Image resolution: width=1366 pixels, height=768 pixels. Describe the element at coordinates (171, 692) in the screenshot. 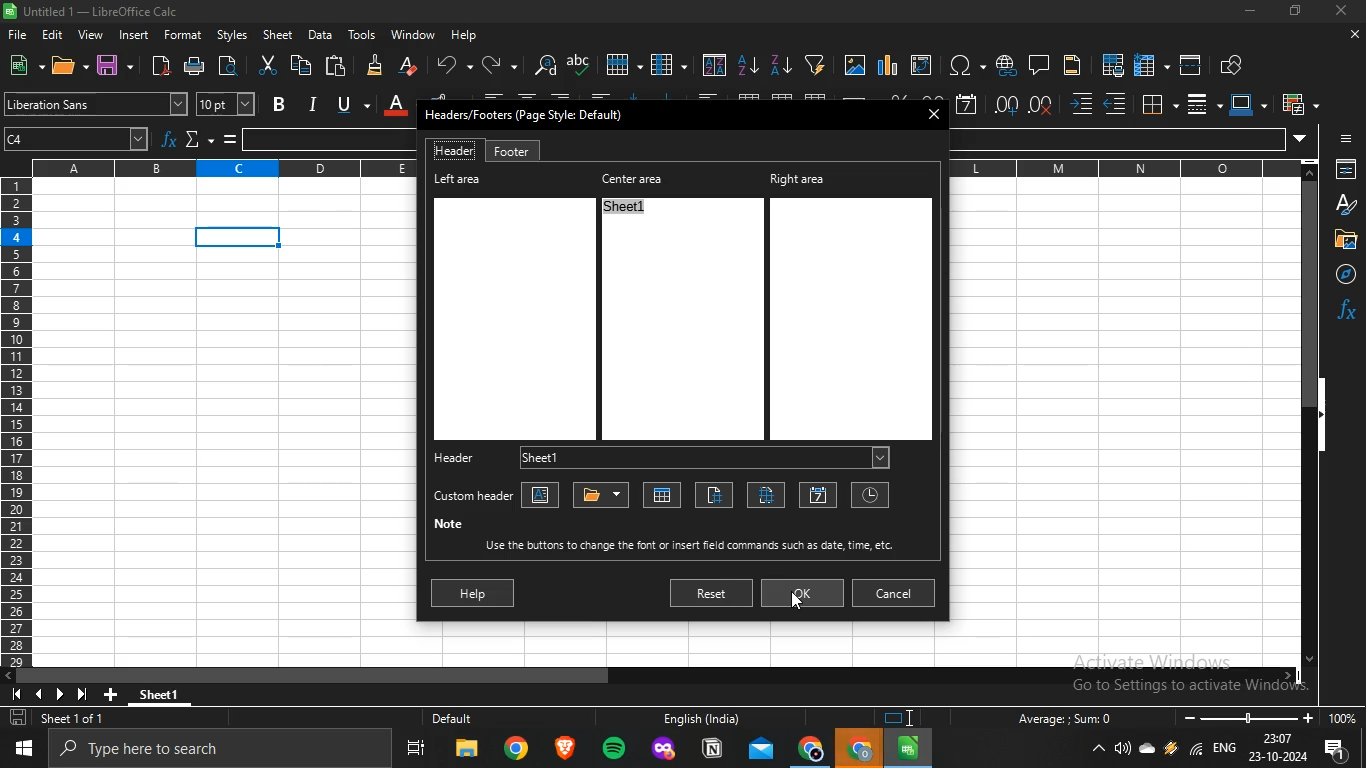

I see `sheet1` at that location.